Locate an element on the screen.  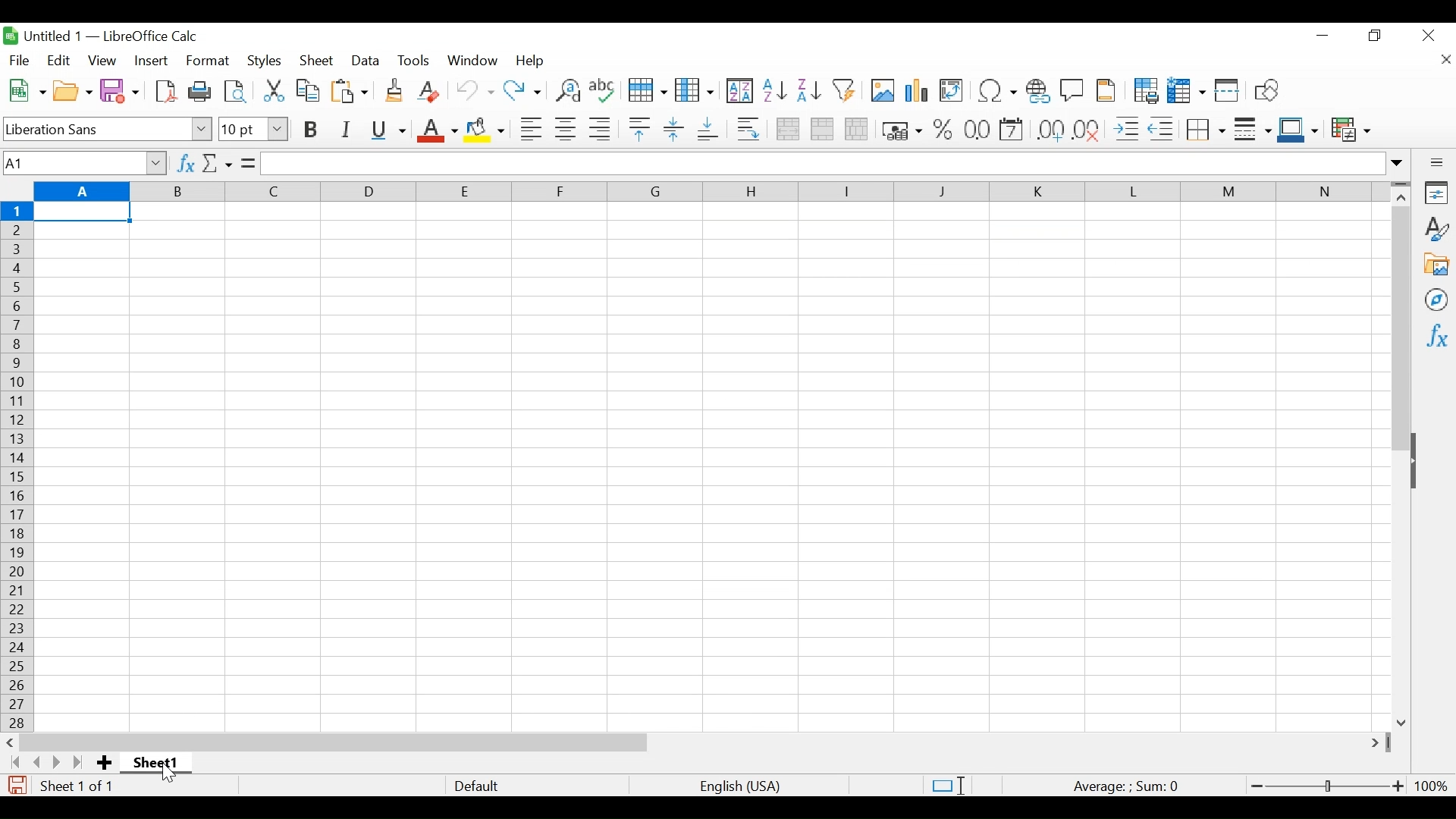
Properties is located at coordinates (1435, 193).